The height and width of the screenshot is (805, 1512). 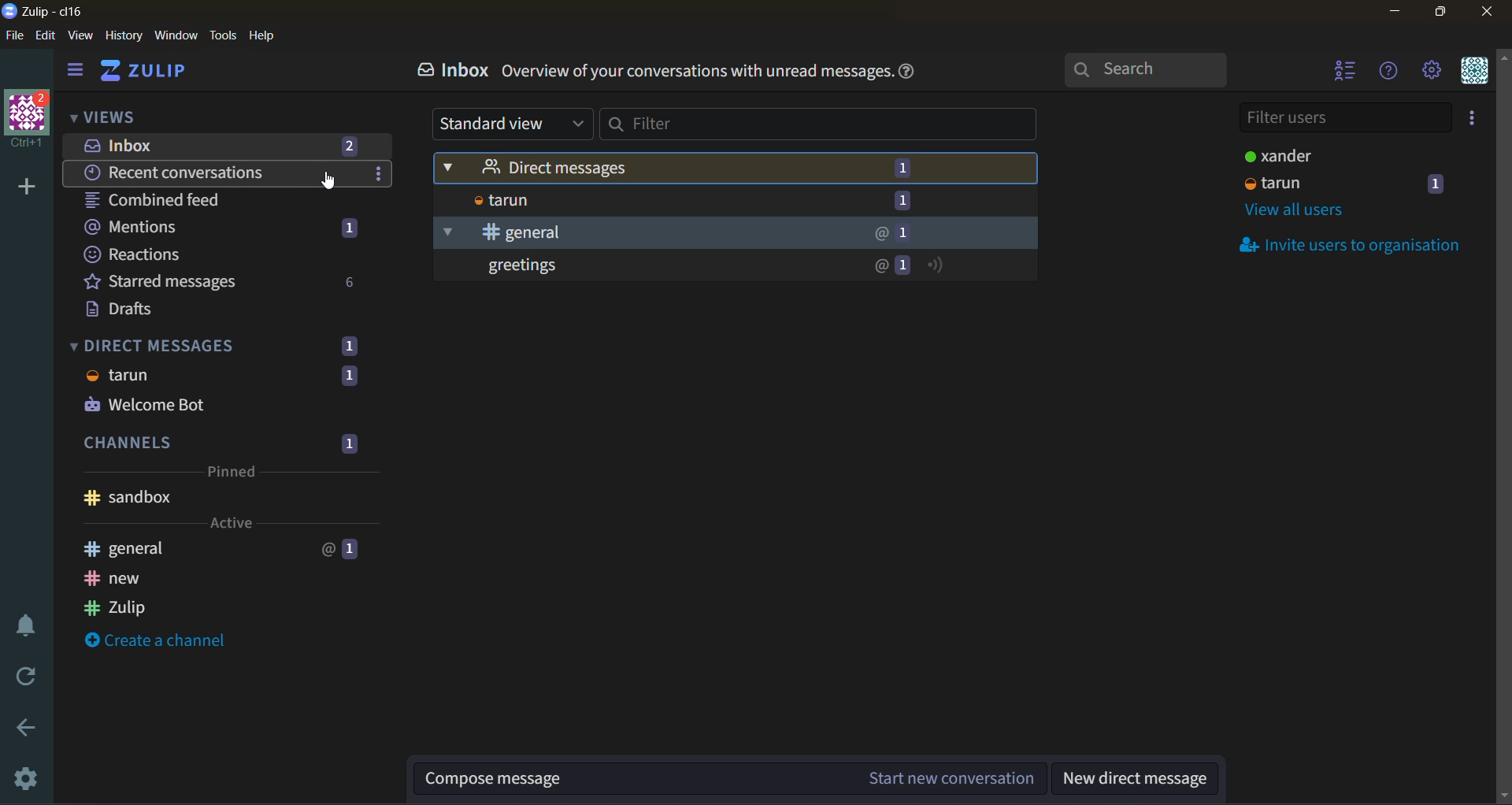 What do you see at coordinates (510, 123) in the screenshot?
I see `standard view` at bounding box center [510, 123].